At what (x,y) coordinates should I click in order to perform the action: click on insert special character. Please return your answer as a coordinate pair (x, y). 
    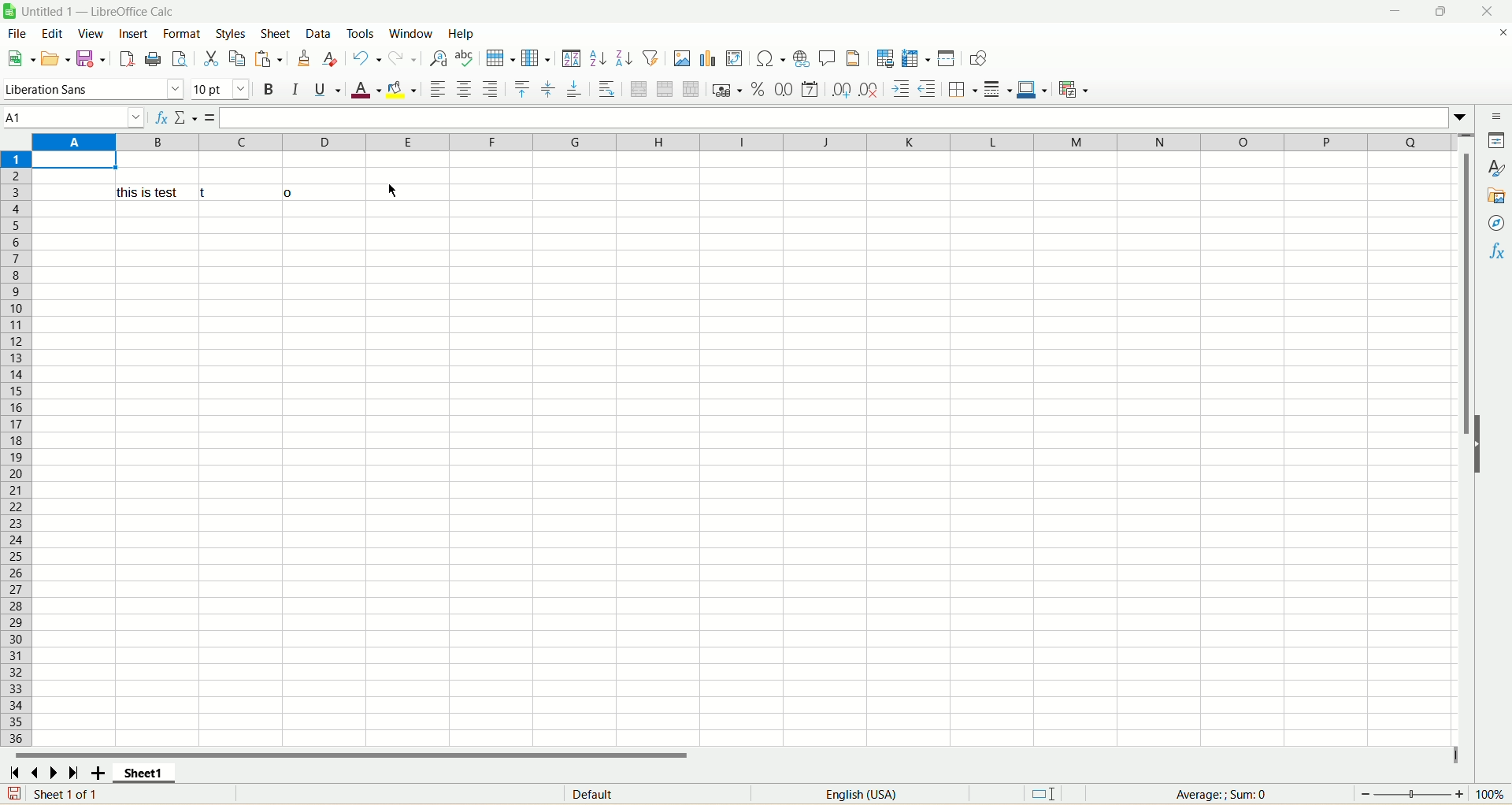
    Looking at the image, I should click on (772, 59).